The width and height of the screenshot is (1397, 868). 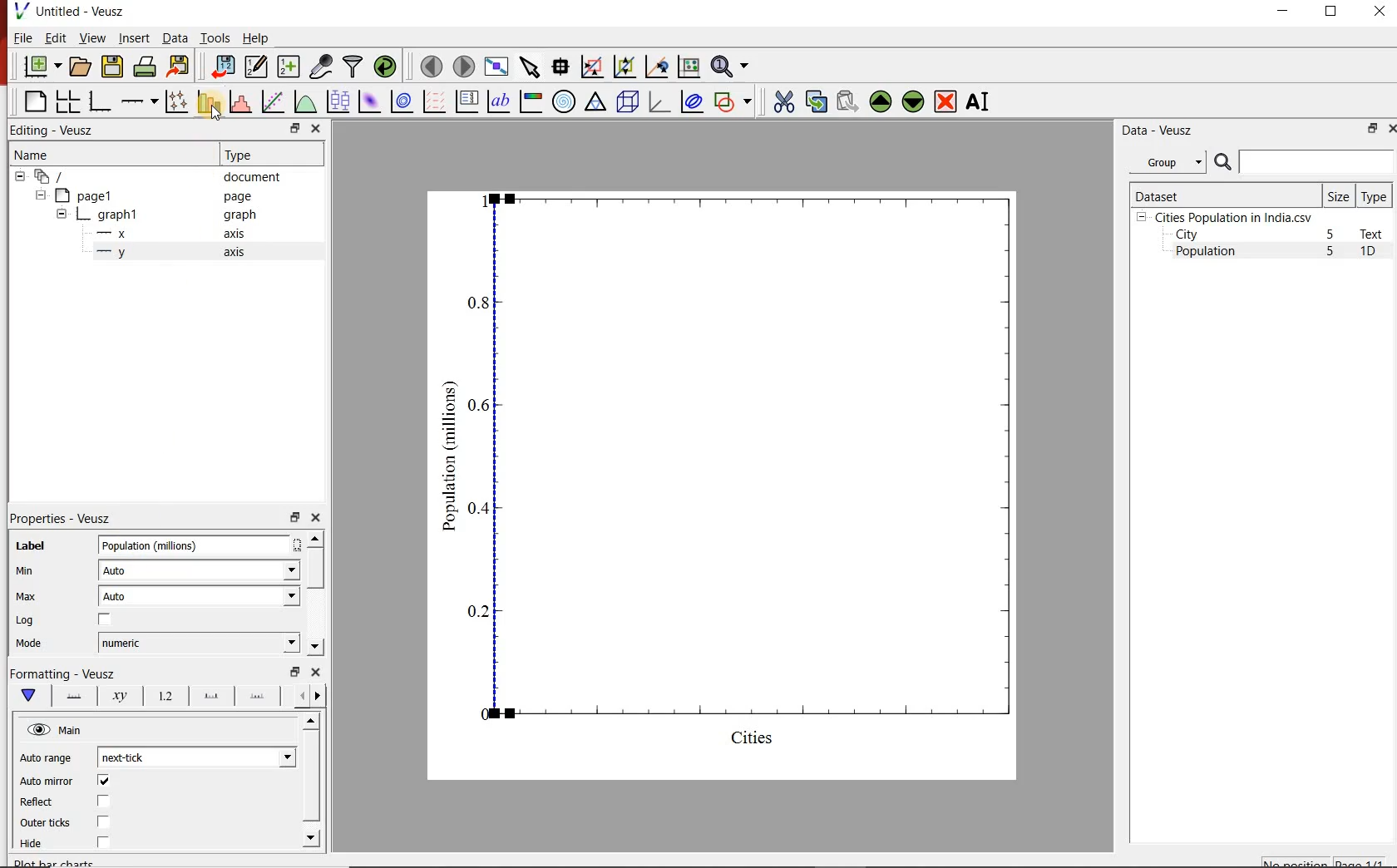 What do you see at coordinates (979, 101) in the screenshot?
I see `renames the selected widget` at bounding box center [979, 101].